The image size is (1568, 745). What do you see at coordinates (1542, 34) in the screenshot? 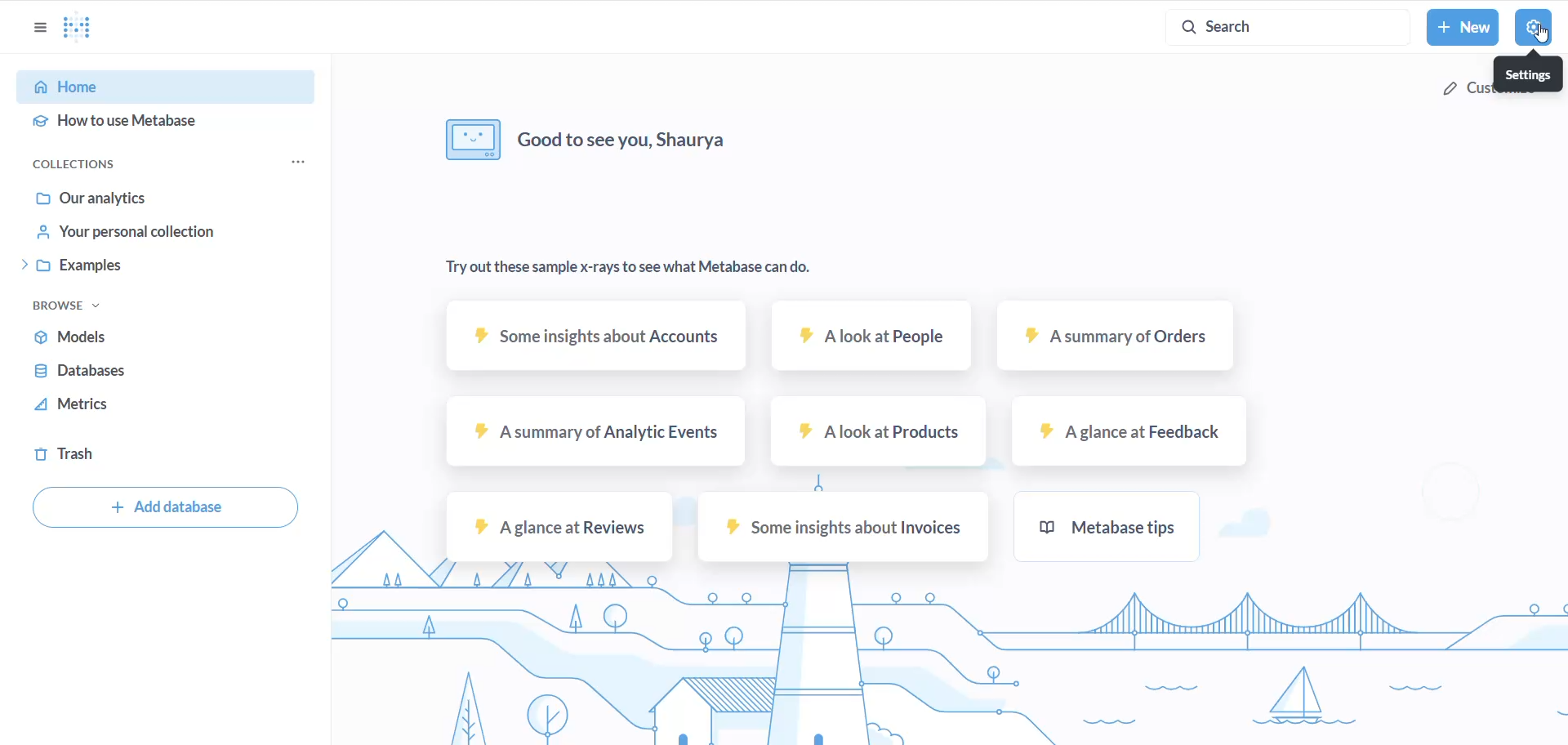
I see `cursor` at bounding box center [1542, 34].